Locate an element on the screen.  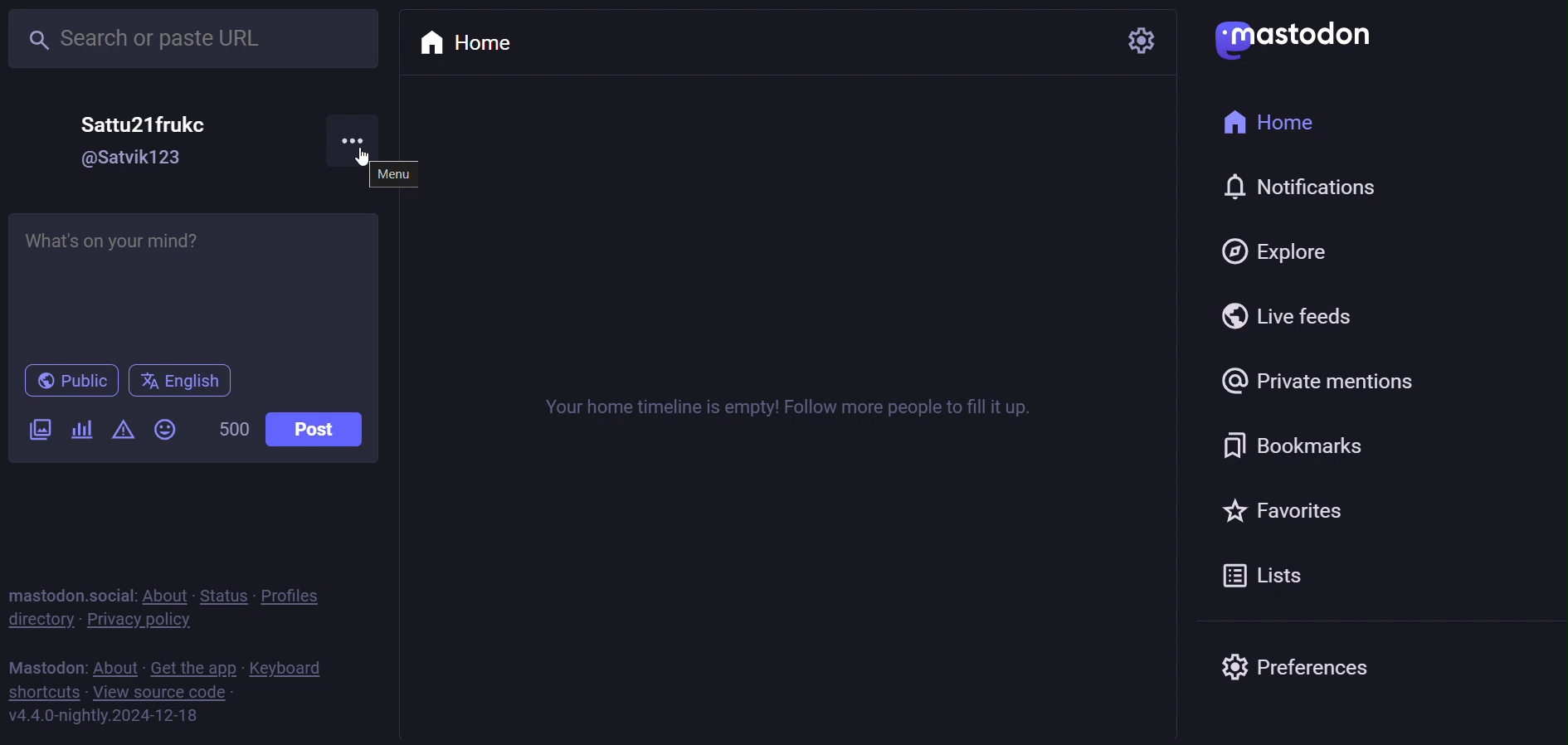
emojis is located at coordinates (164, 429).